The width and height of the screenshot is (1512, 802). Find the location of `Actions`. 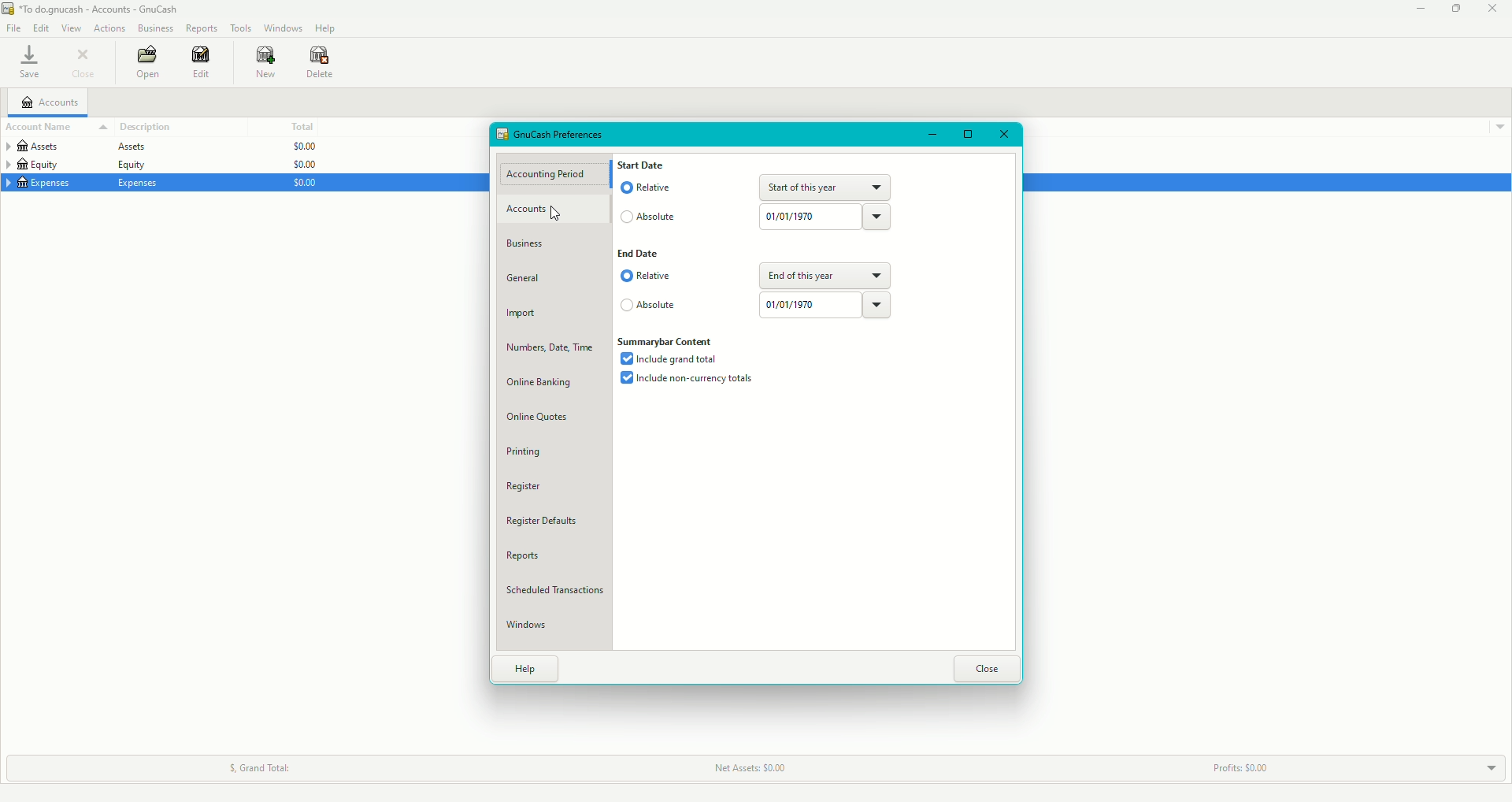

Actions is located at coordinates (111, 28).